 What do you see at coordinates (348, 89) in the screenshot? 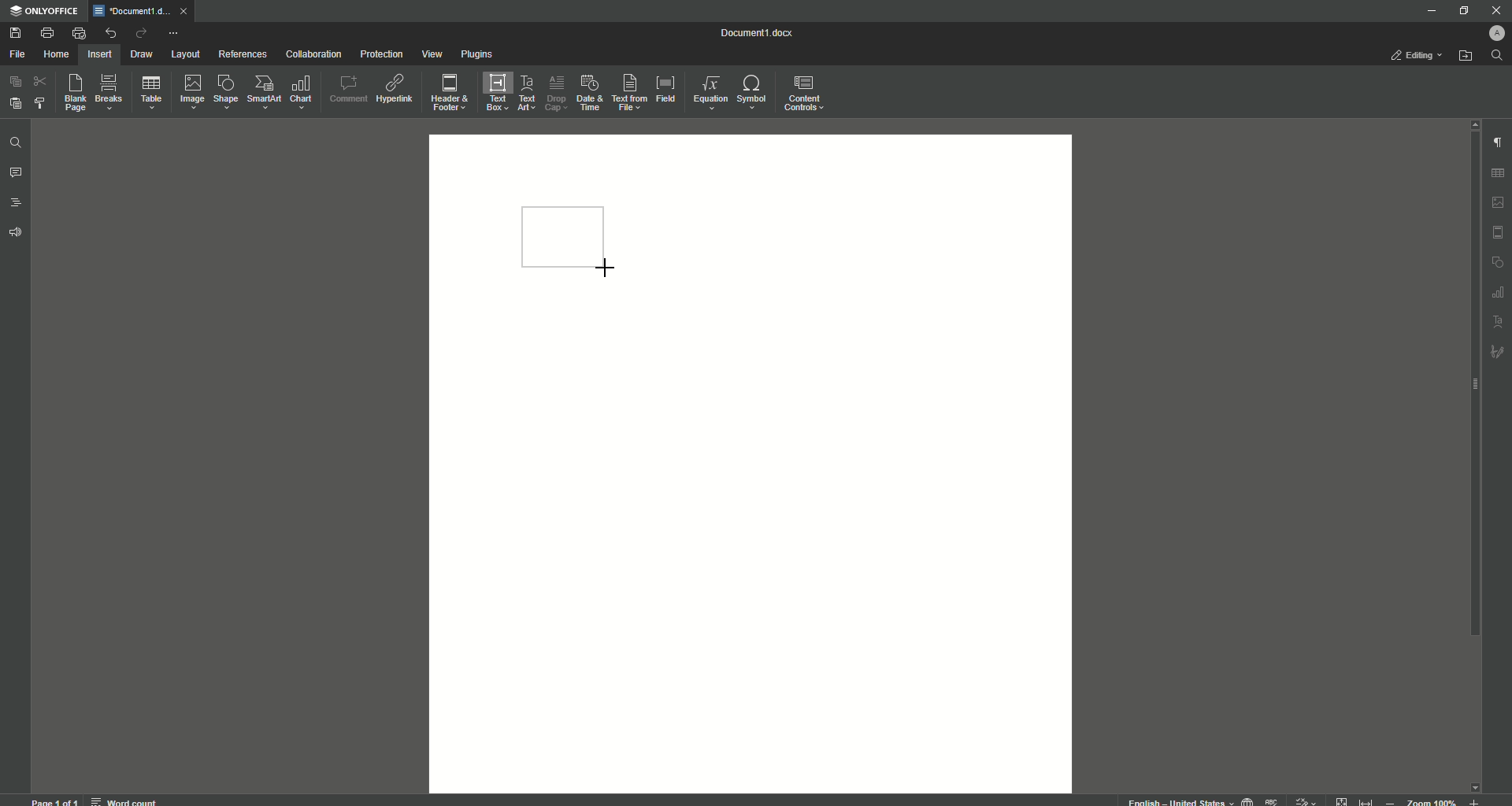
I see `Comment` at bounding box center [348, 89].